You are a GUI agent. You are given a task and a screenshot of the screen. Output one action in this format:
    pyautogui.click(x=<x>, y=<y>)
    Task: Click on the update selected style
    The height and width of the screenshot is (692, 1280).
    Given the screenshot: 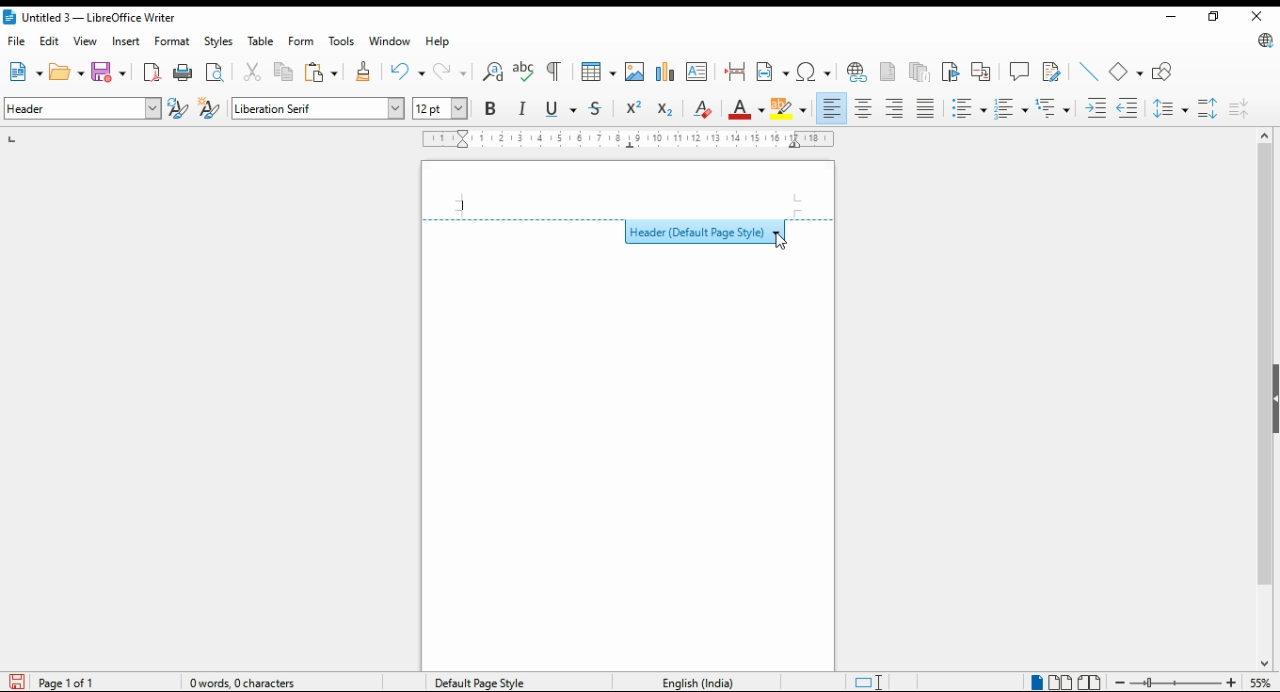 What is the action you would take?
    pyautogui.click(x=179, y=108)
    